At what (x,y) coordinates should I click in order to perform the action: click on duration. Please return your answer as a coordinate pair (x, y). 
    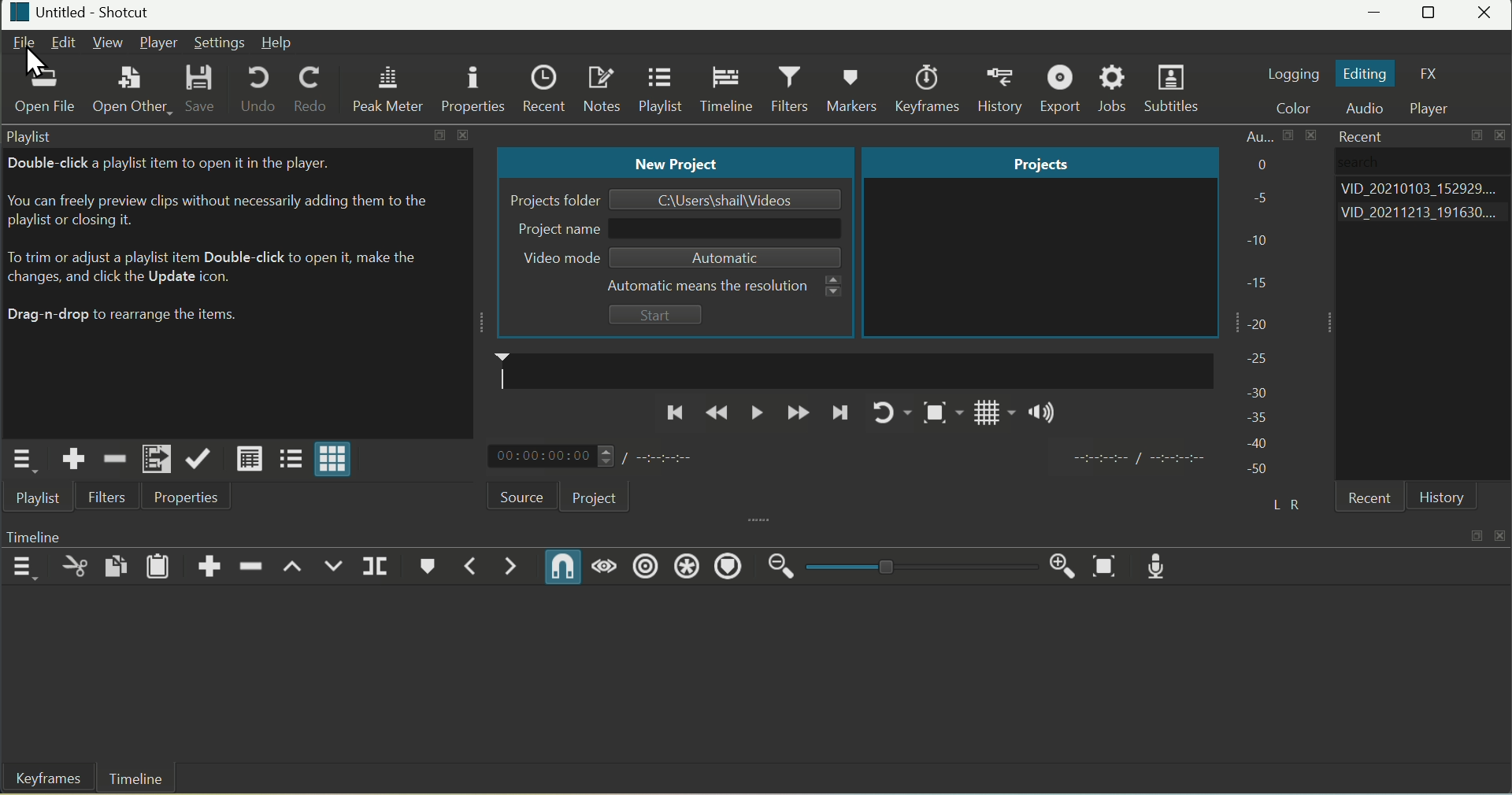
    Looking at the image, I should click on (661, 457).